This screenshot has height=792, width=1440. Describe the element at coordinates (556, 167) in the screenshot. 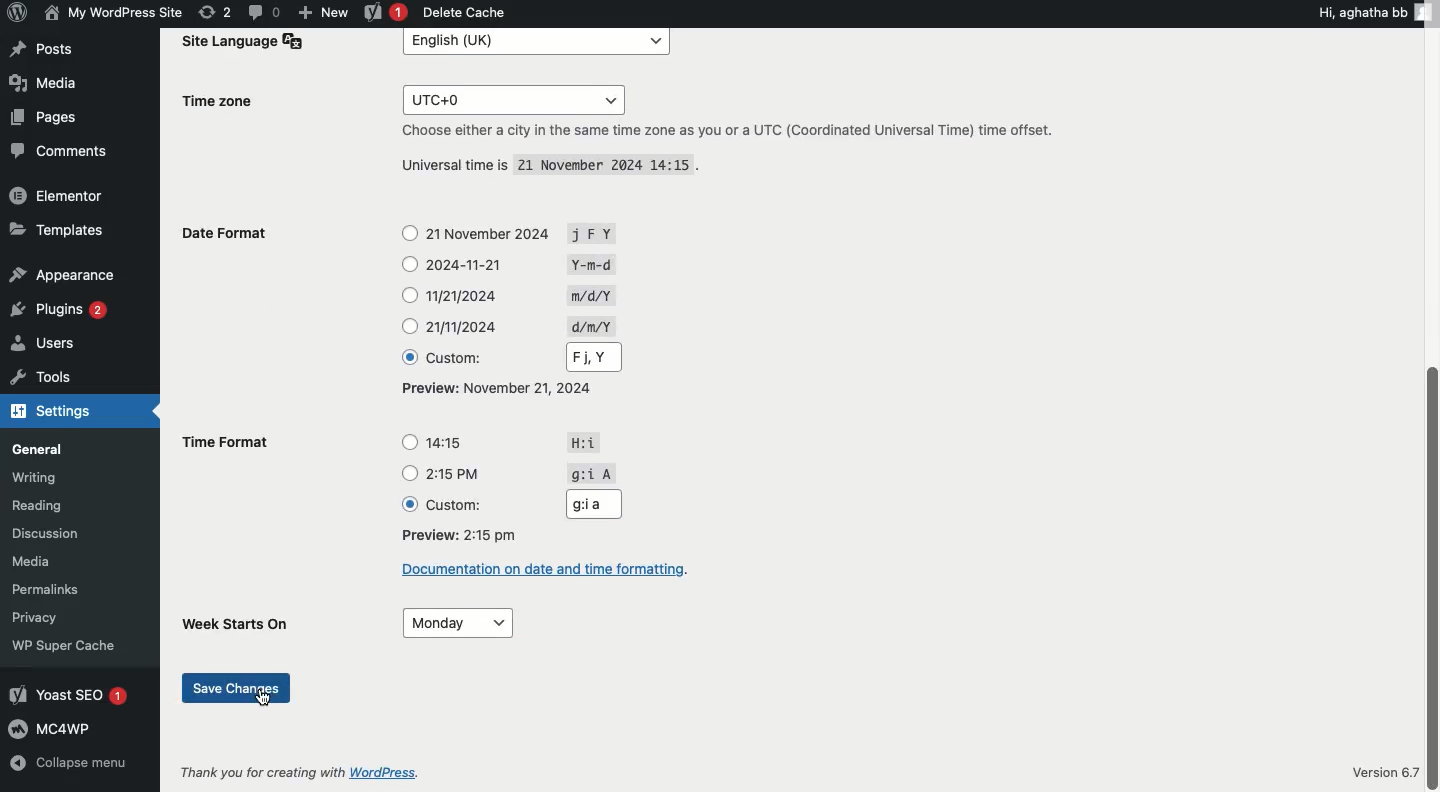

I see `Universal time is 21 November 2024 14:15 .` at that location.